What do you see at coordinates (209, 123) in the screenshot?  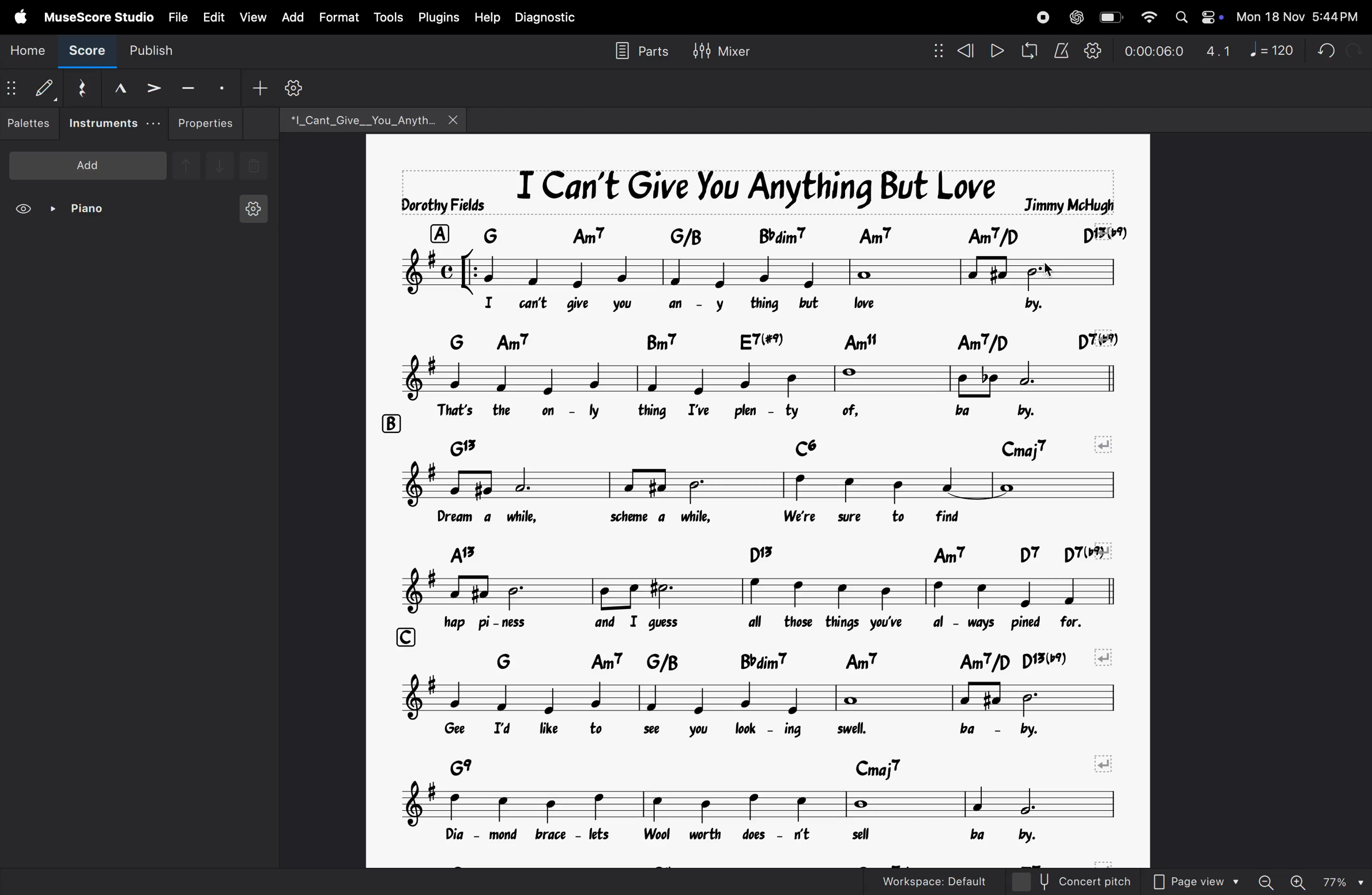 I see `properties` at bounding box center [209, 123].